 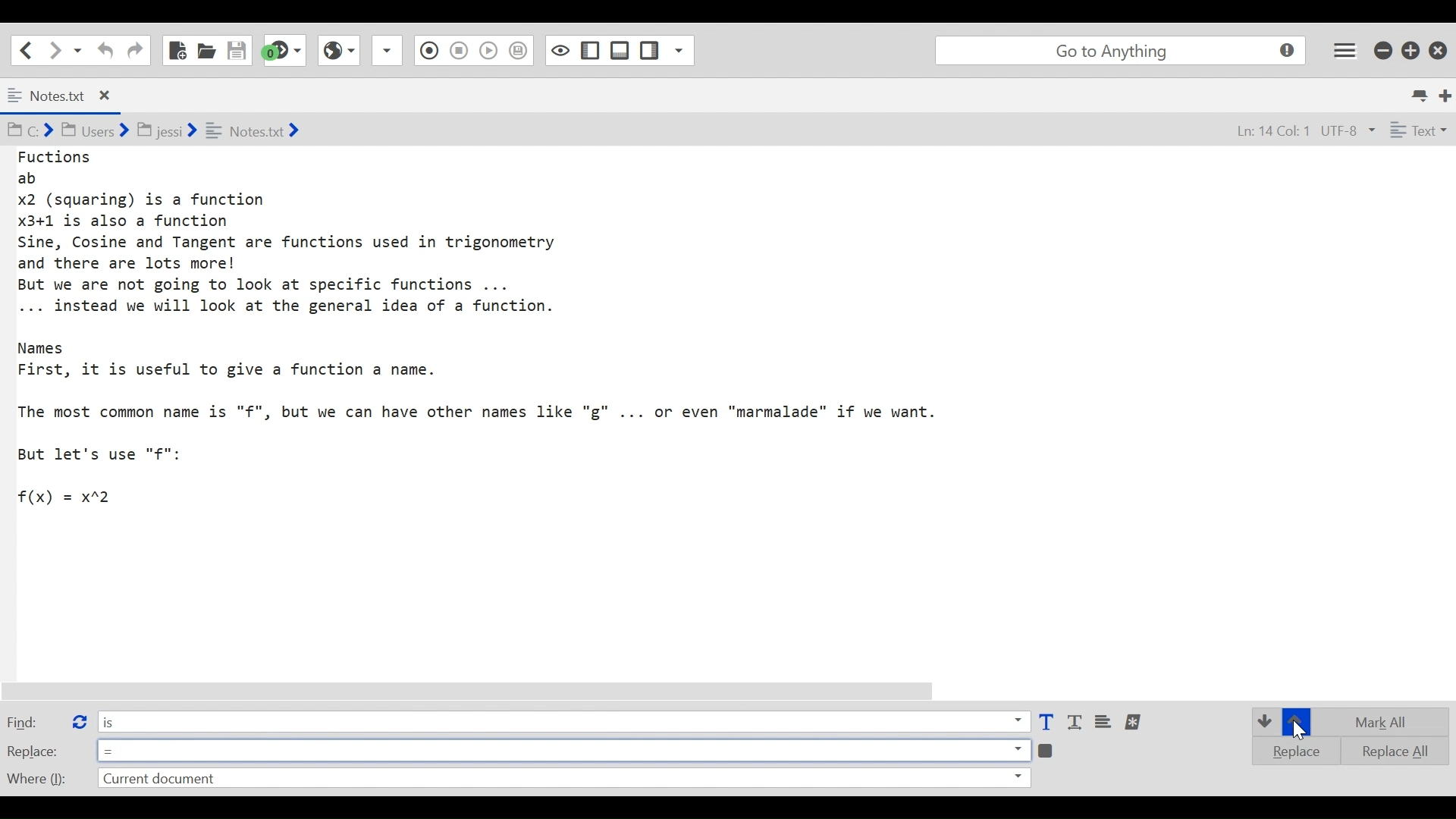 What do you see at coordinates (33, 751) in the screenshot?
I see `Replace` at bounding box center [33, 751].